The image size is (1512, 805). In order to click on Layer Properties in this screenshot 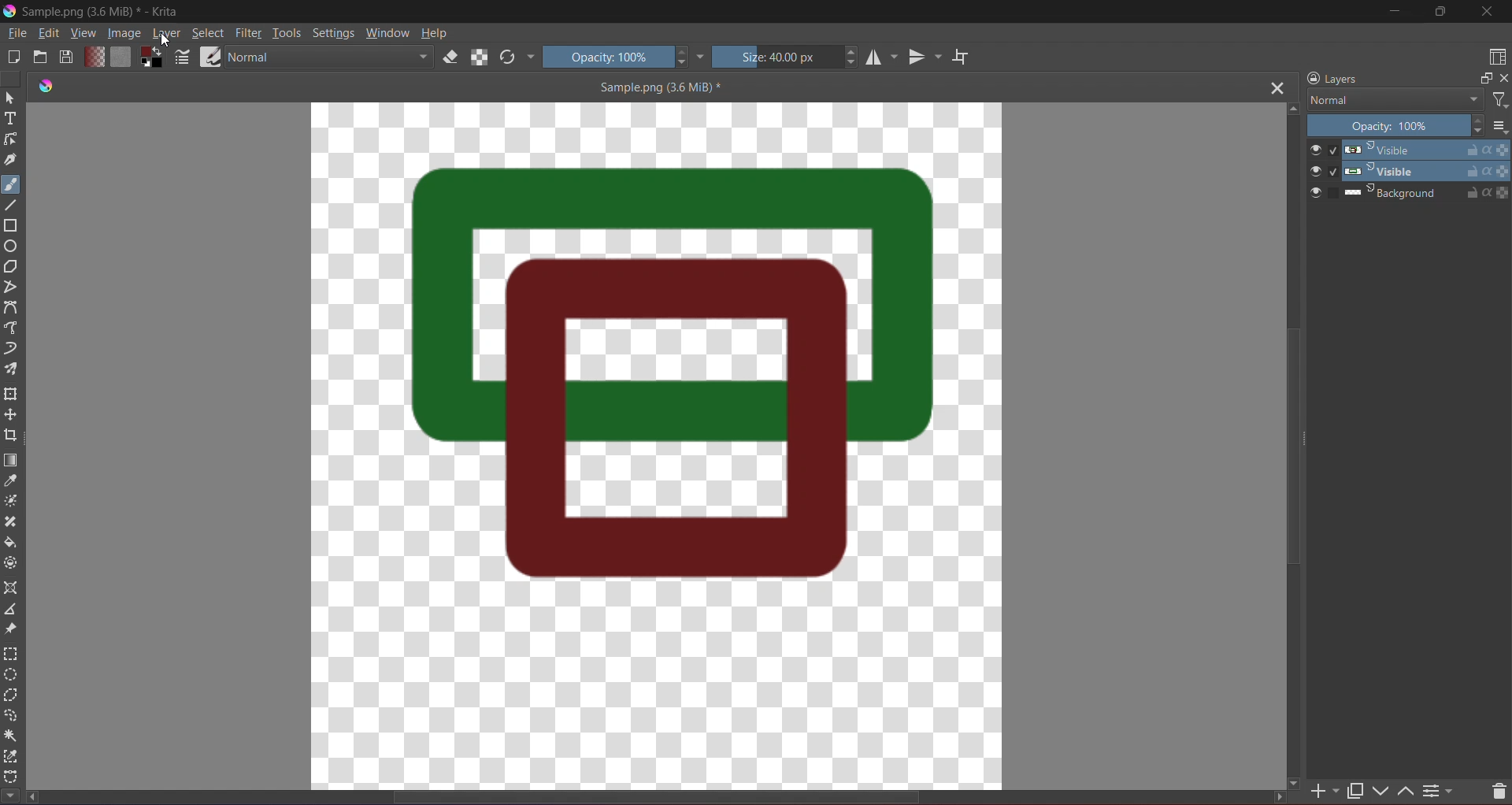, I will do `click(1440, 788)`.